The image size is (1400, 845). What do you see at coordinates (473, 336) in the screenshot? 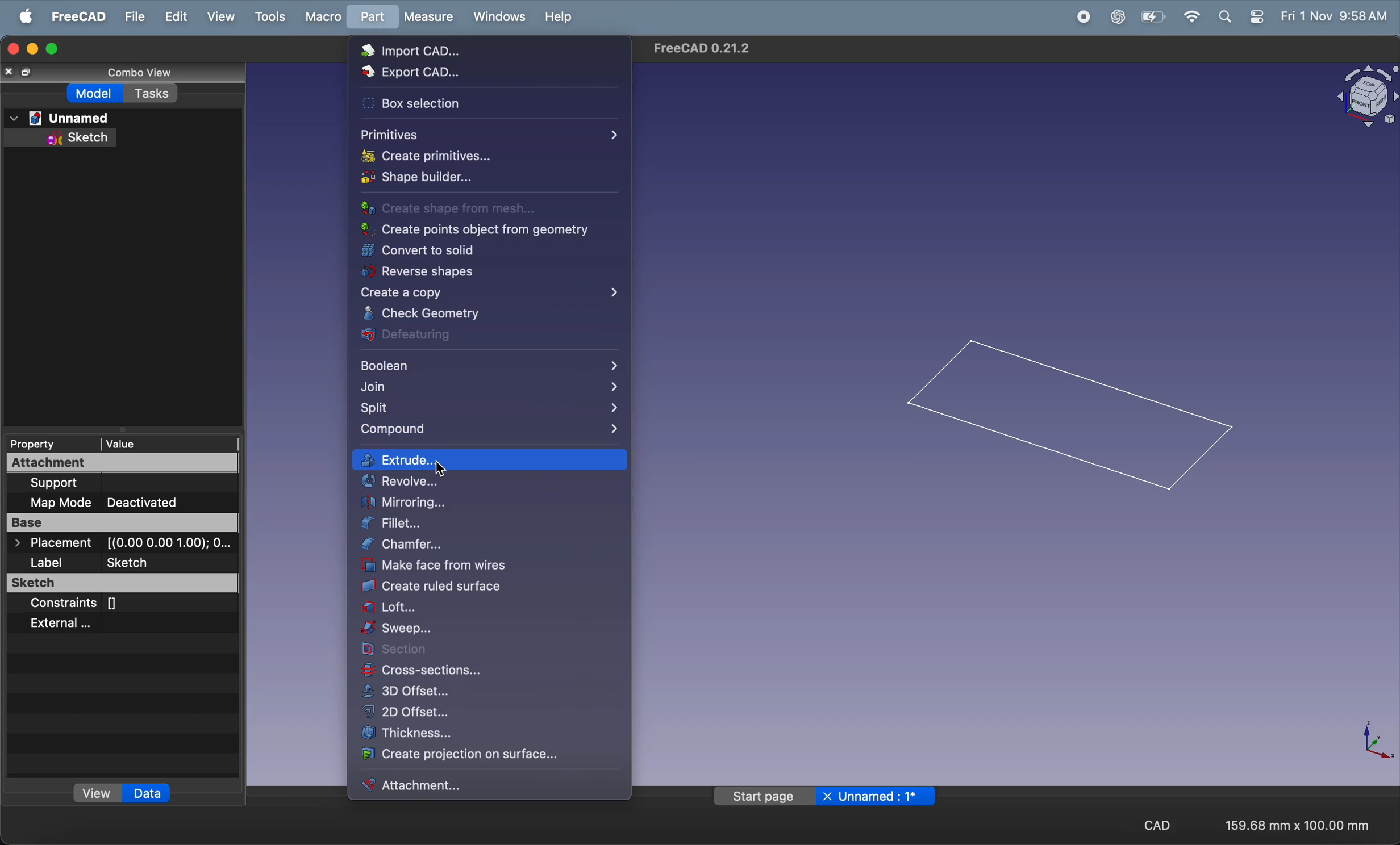
I see `defeaturing` at bounding box center [473, 336].